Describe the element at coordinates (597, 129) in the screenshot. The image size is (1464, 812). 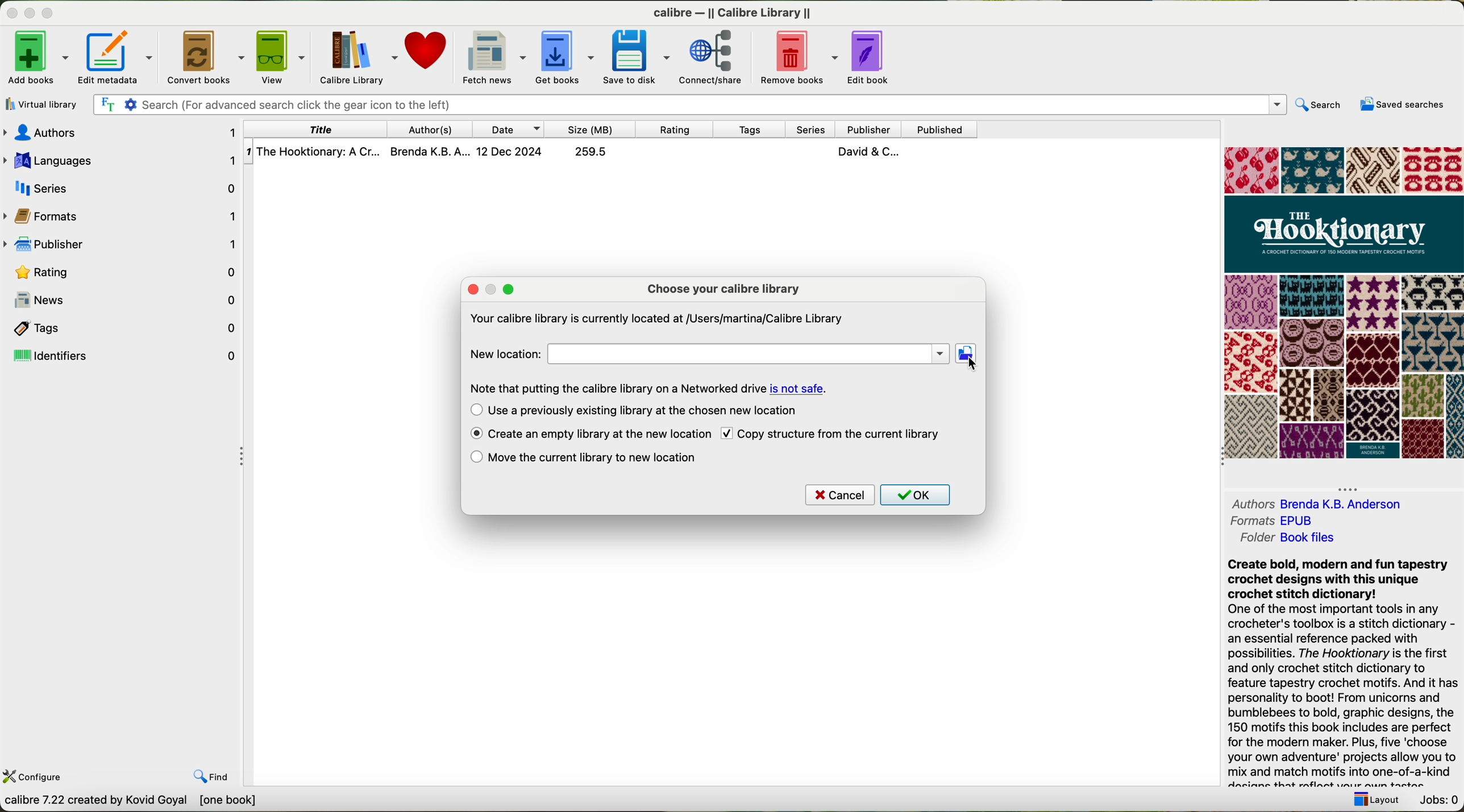
I see `size` at that location.